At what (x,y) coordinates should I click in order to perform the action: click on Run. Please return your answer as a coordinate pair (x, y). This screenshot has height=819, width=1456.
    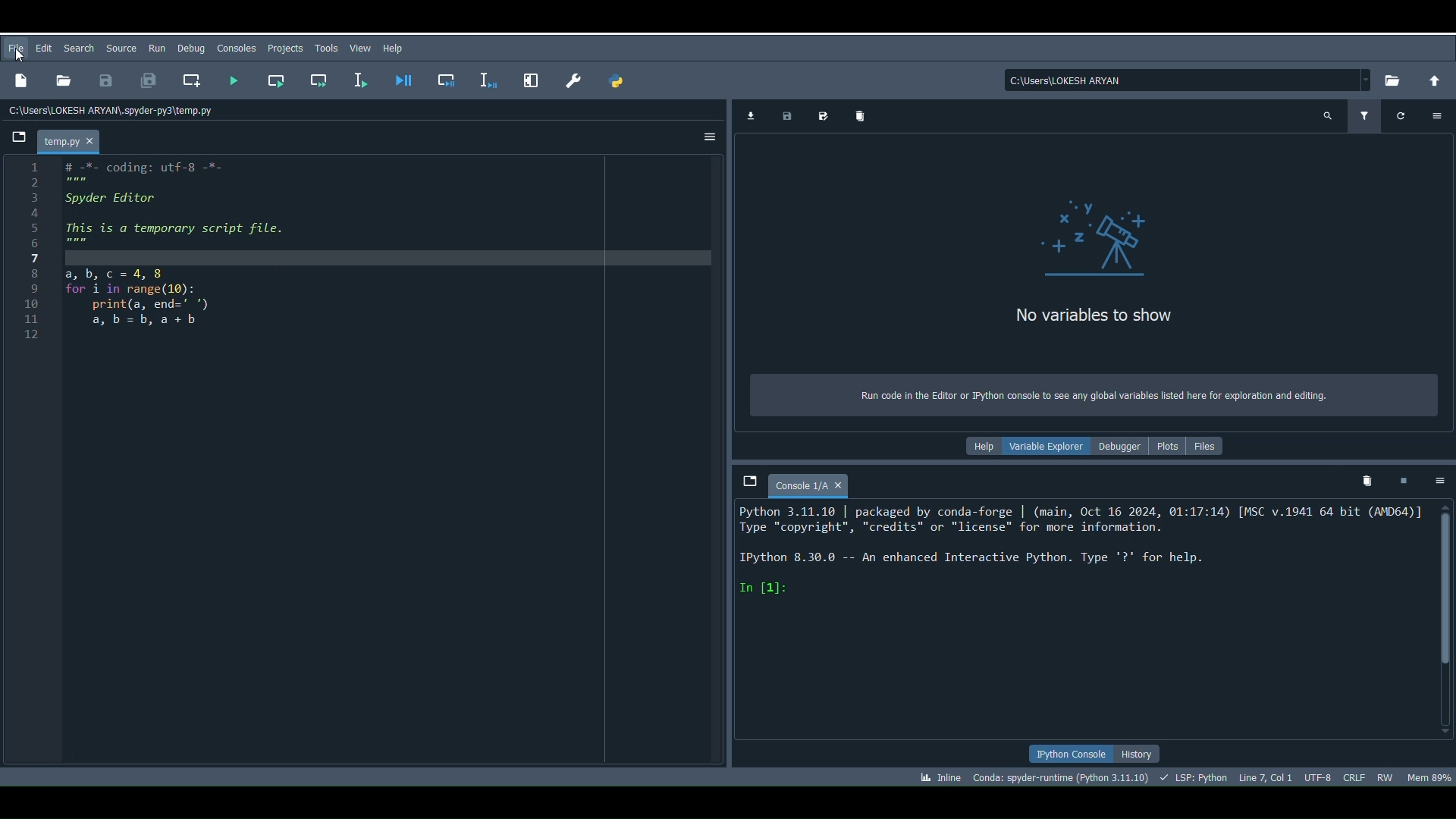
    Looking at the image, I should click on (155, 45).